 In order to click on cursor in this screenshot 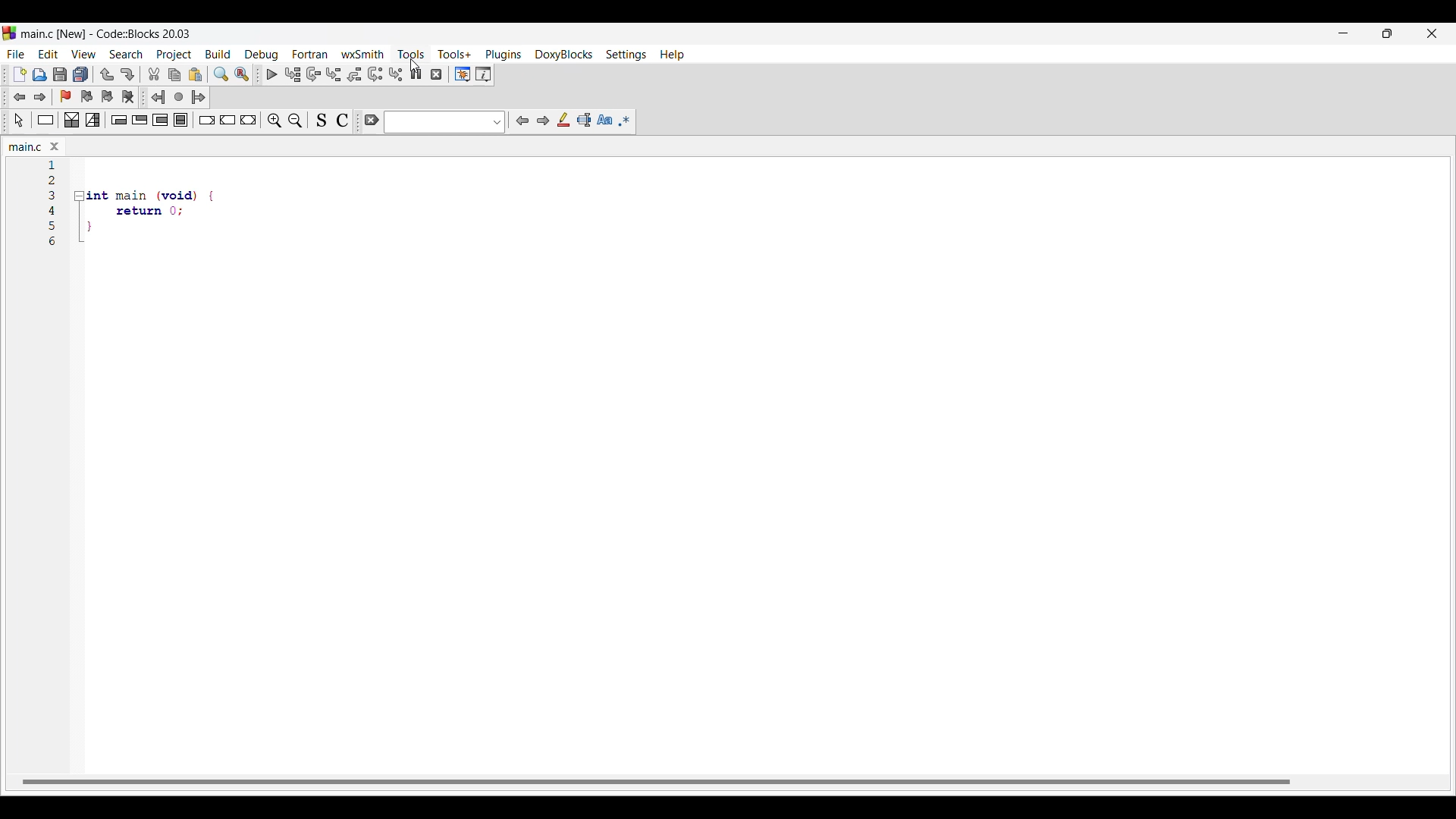, I will do `click(416, 62)`.